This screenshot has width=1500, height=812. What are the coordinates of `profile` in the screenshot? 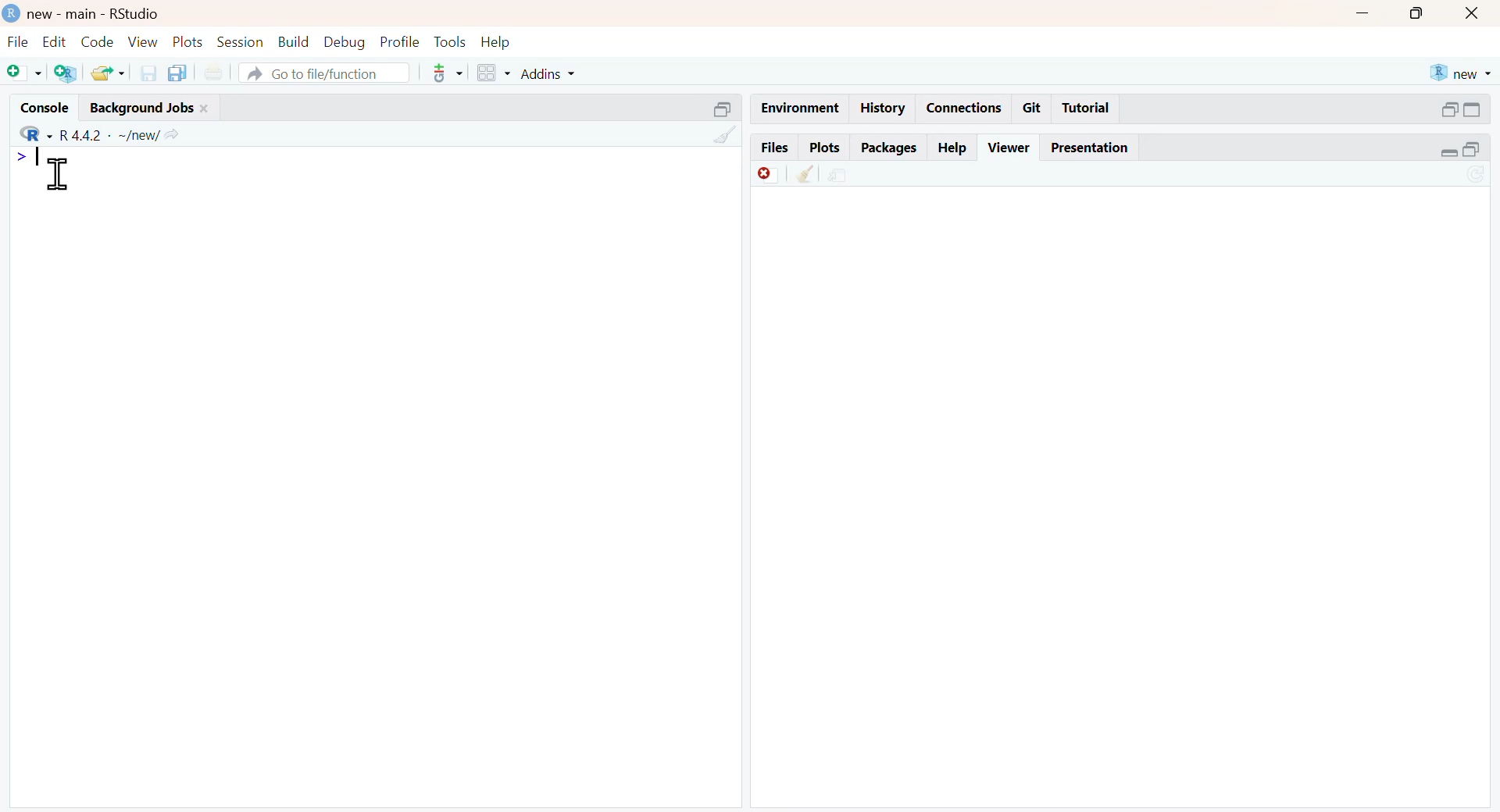 It's located at (402, 41).